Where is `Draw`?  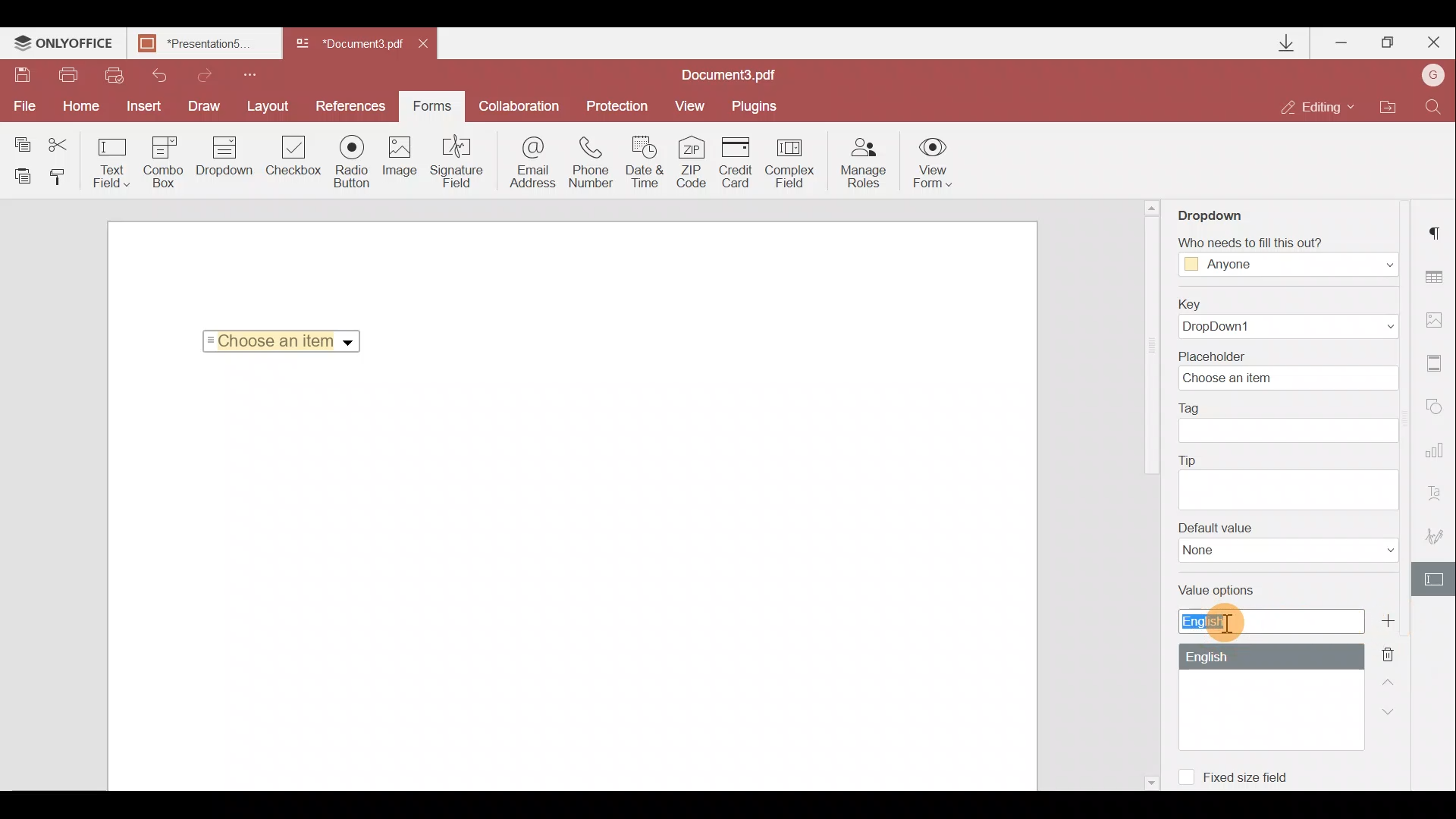 Draw is located at coordinates (205, 105).